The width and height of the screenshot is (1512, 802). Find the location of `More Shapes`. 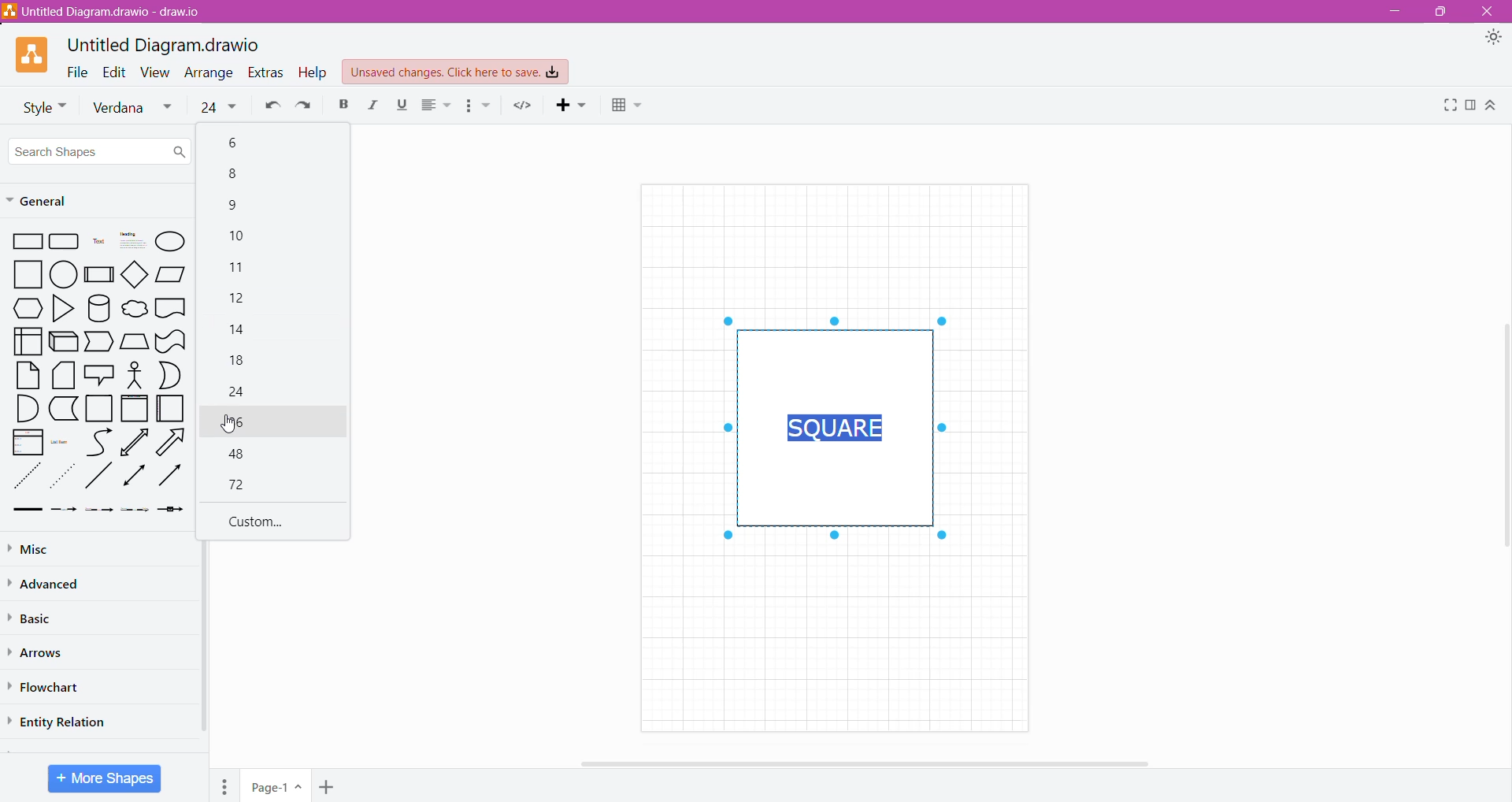

More Shapes is located at coordinates (104, 778).